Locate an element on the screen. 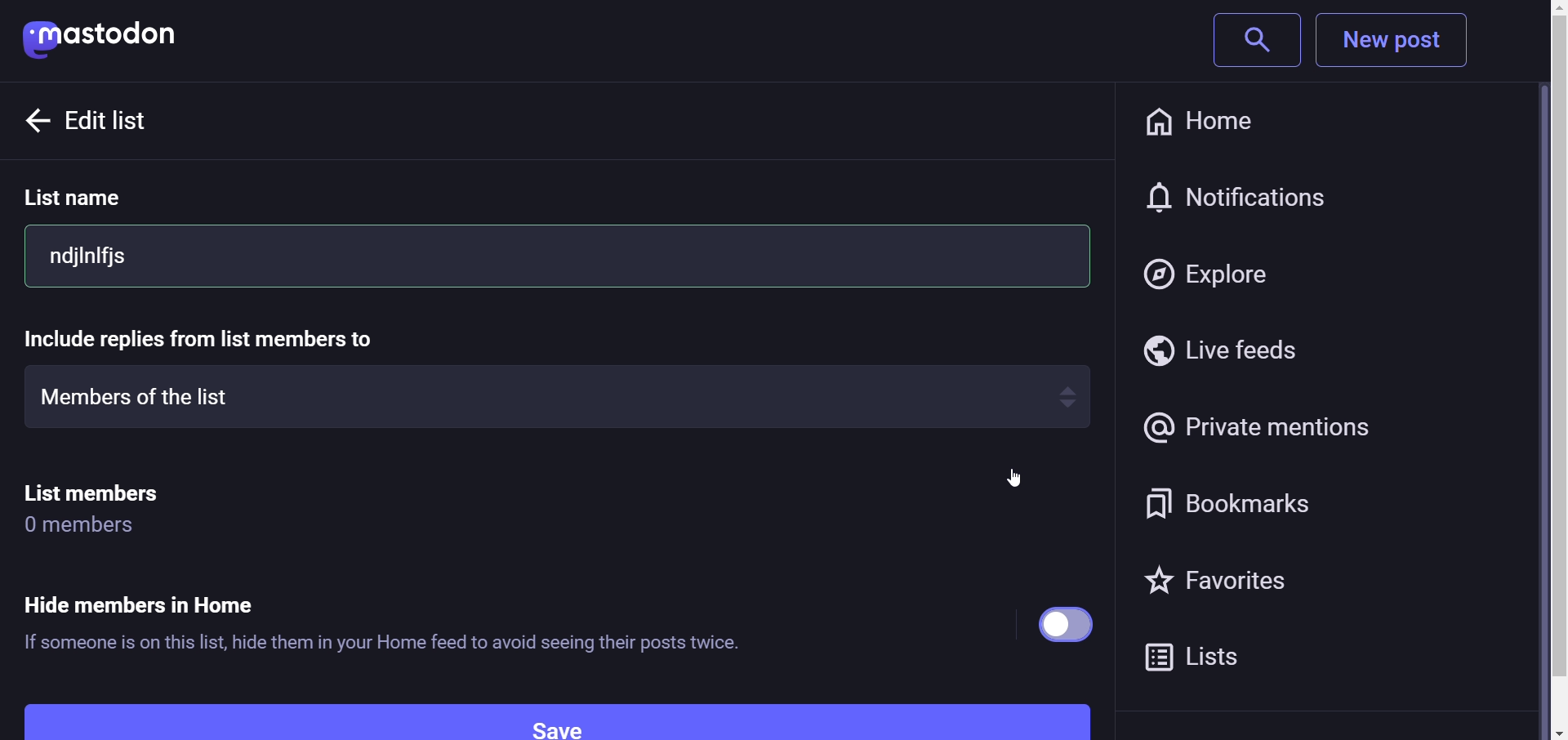  search is located at coordinates (1248, 40).